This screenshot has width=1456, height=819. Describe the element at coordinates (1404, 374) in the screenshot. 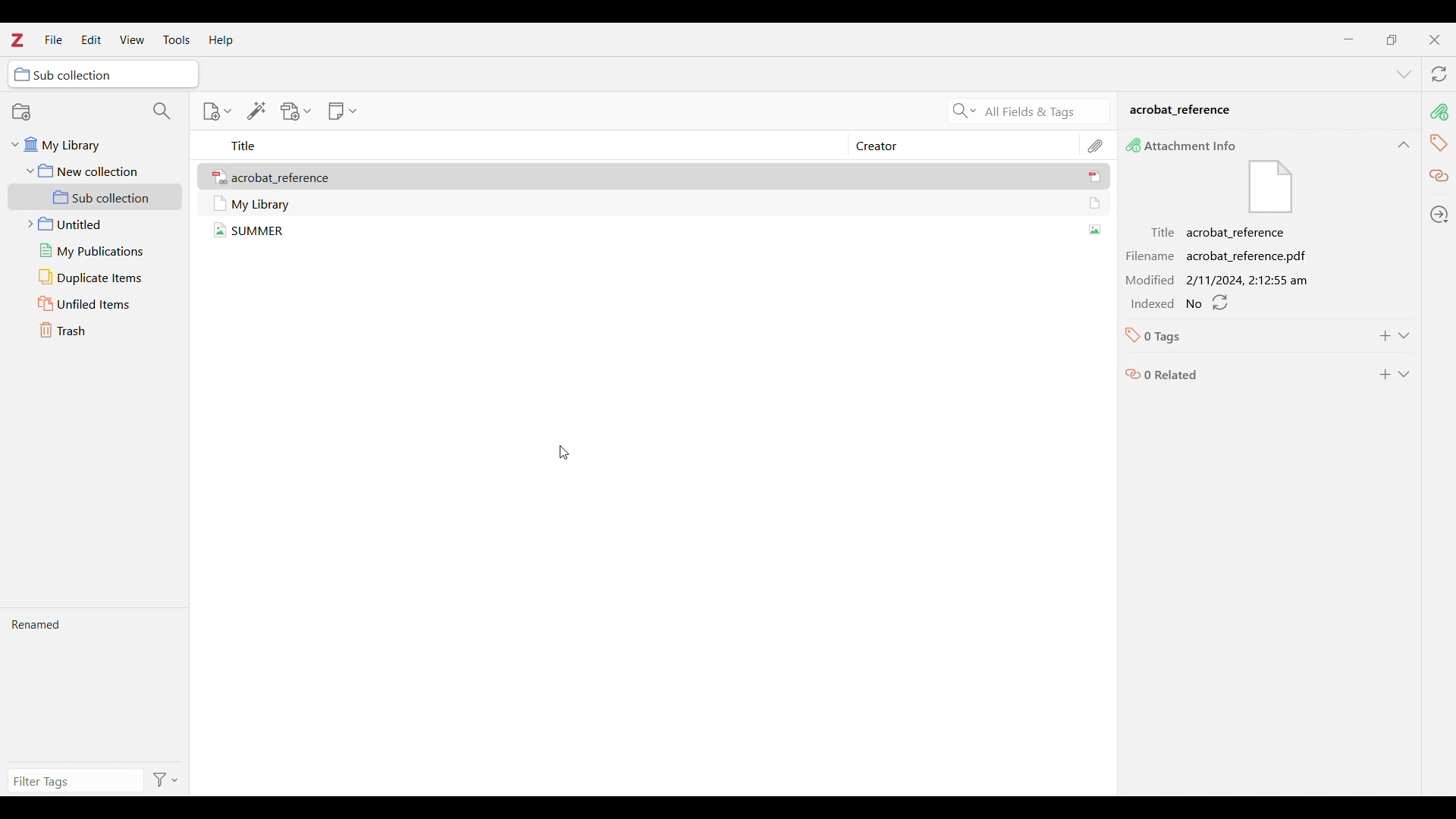

I see `Expand` at that location.